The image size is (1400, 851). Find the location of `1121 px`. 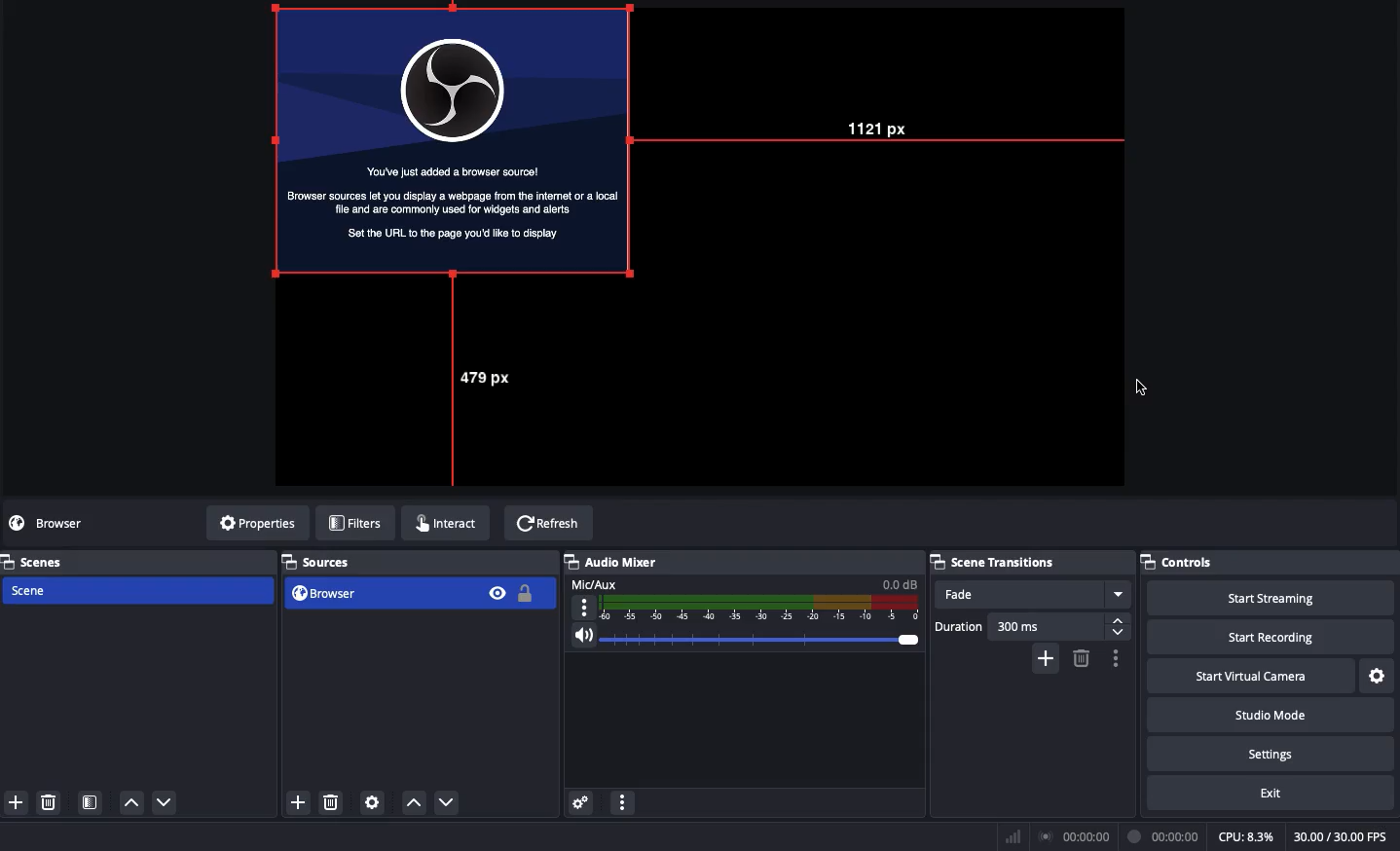

1121 px is located at coordinates (884, 129).